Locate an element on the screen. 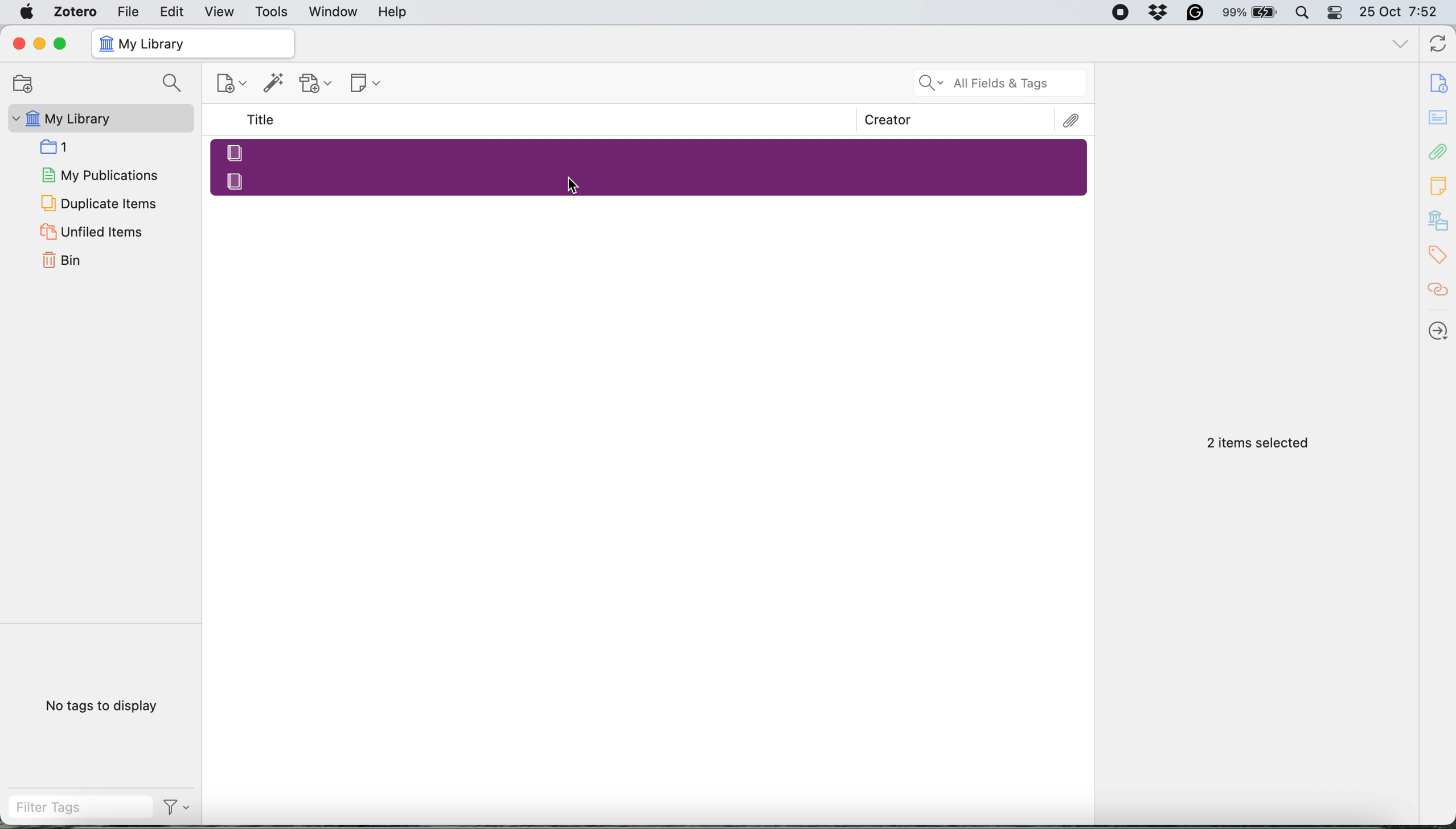  25 Oct 7:52 is located at coordinates (1404, 13).